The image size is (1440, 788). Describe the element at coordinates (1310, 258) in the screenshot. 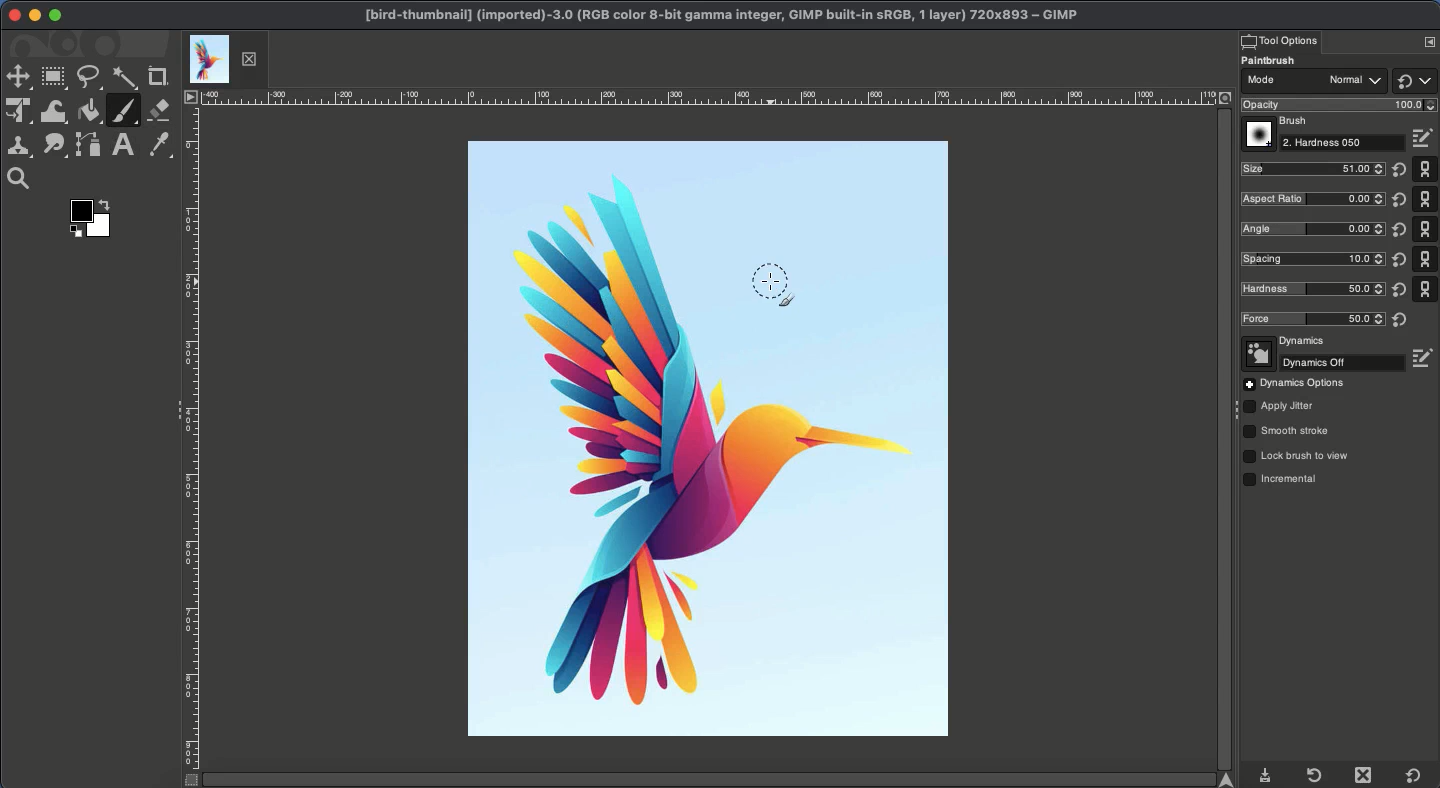

I see `Spacing` at that location.